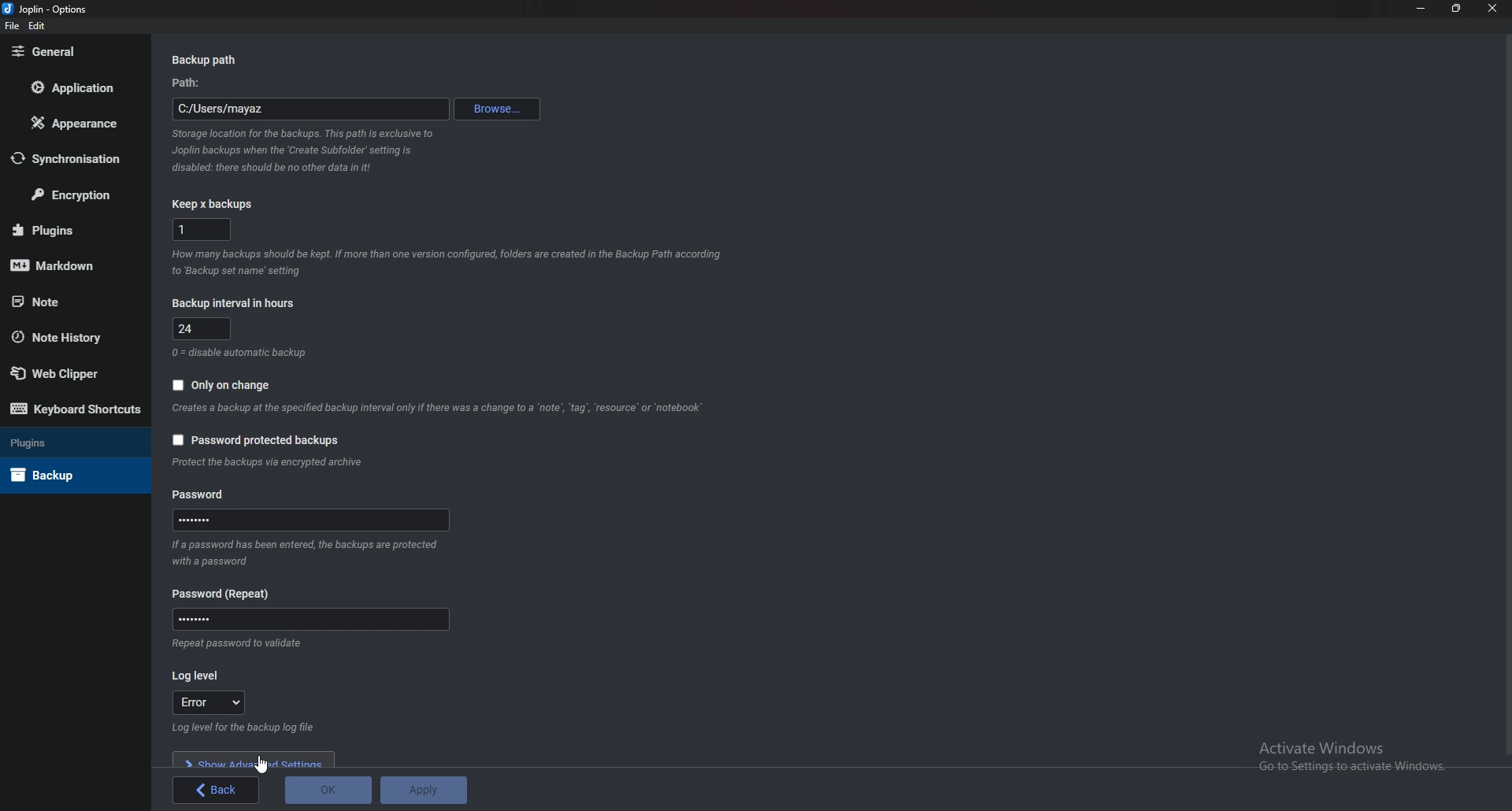  Describe the element at coordinates (440, 408) in the screenshot. I see `Info` at that location.